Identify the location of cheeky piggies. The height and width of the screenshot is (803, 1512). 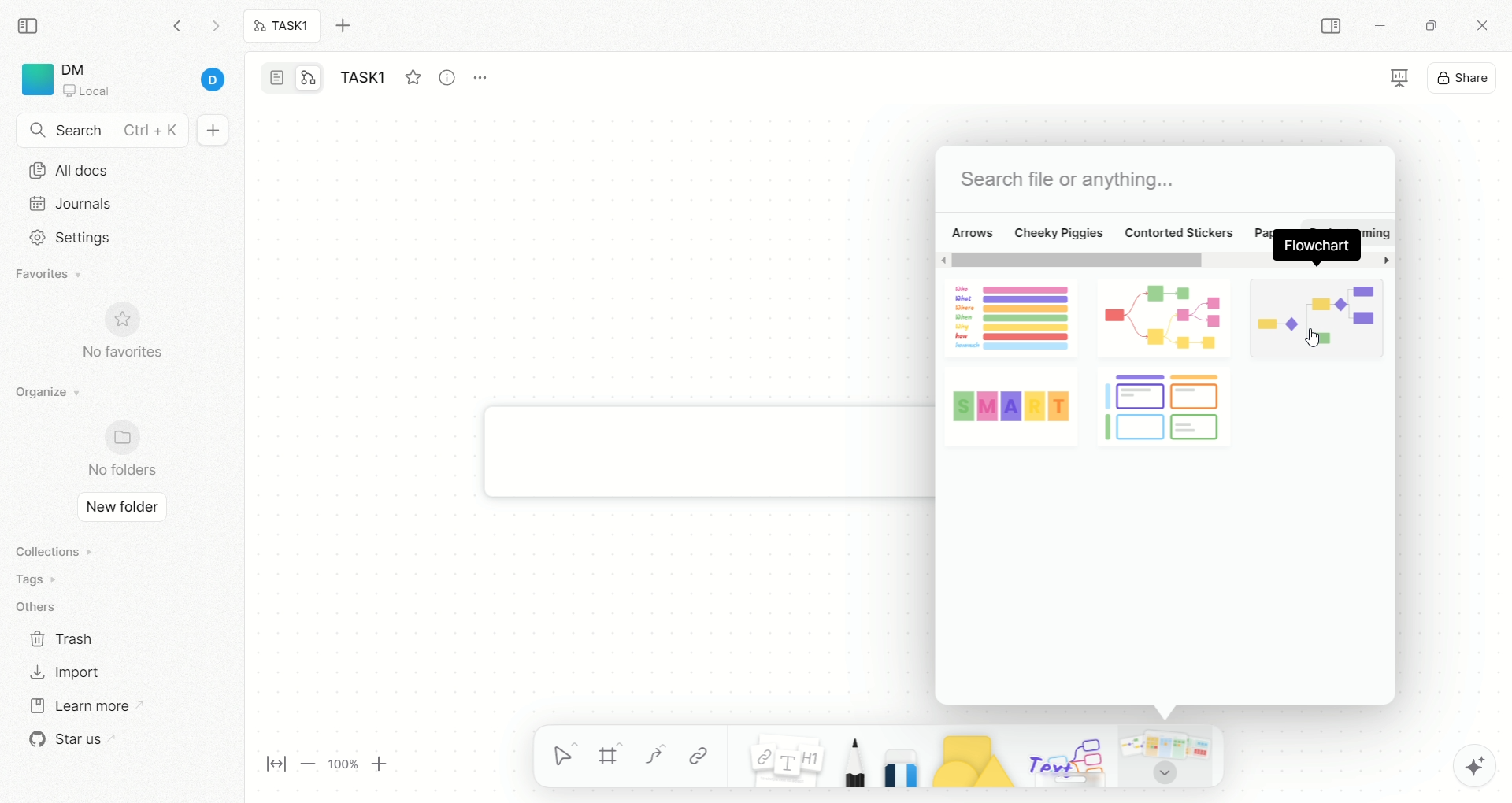
(1059, 231).